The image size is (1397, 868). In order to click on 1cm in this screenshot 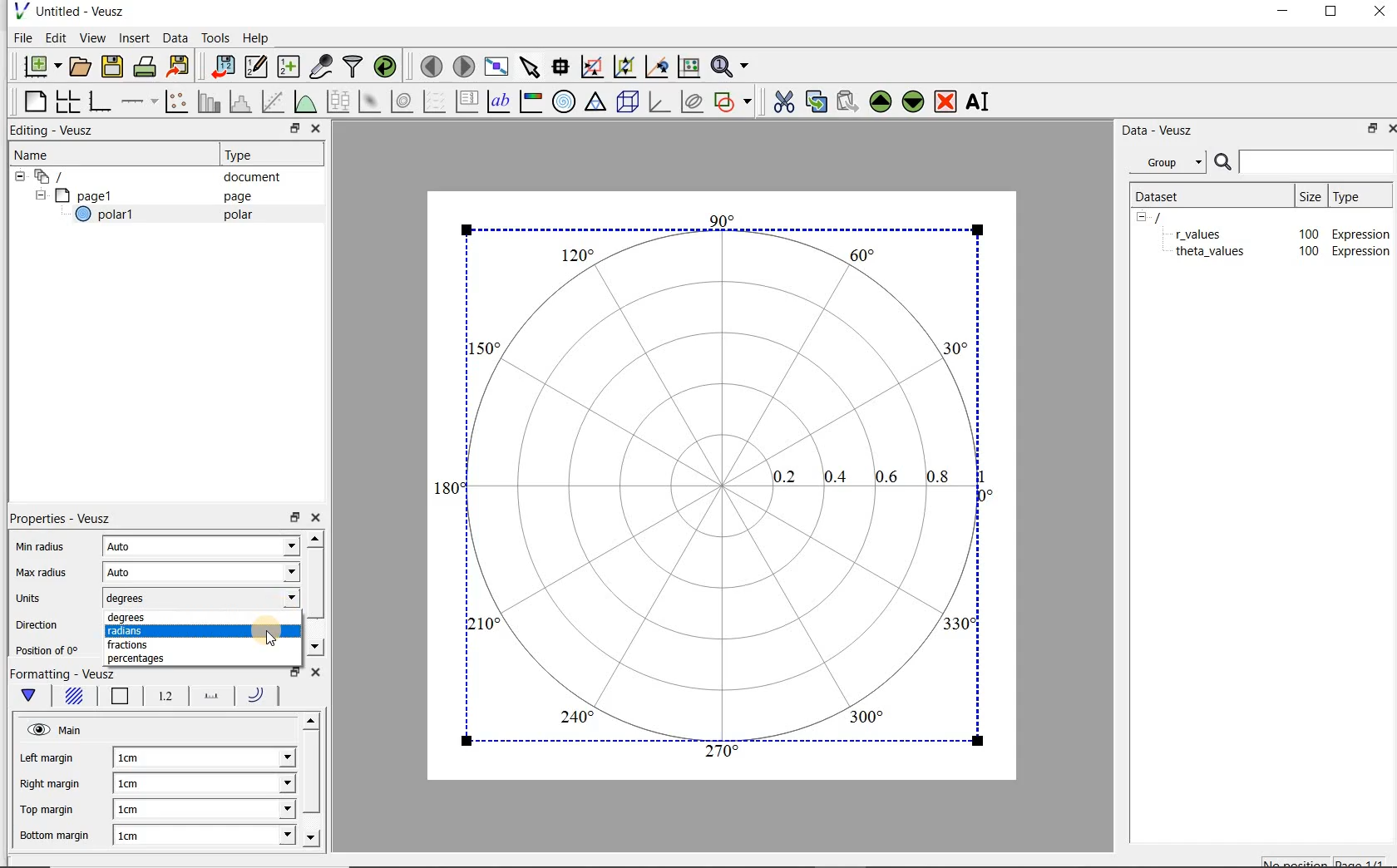, I will do `click(142, 757)`.